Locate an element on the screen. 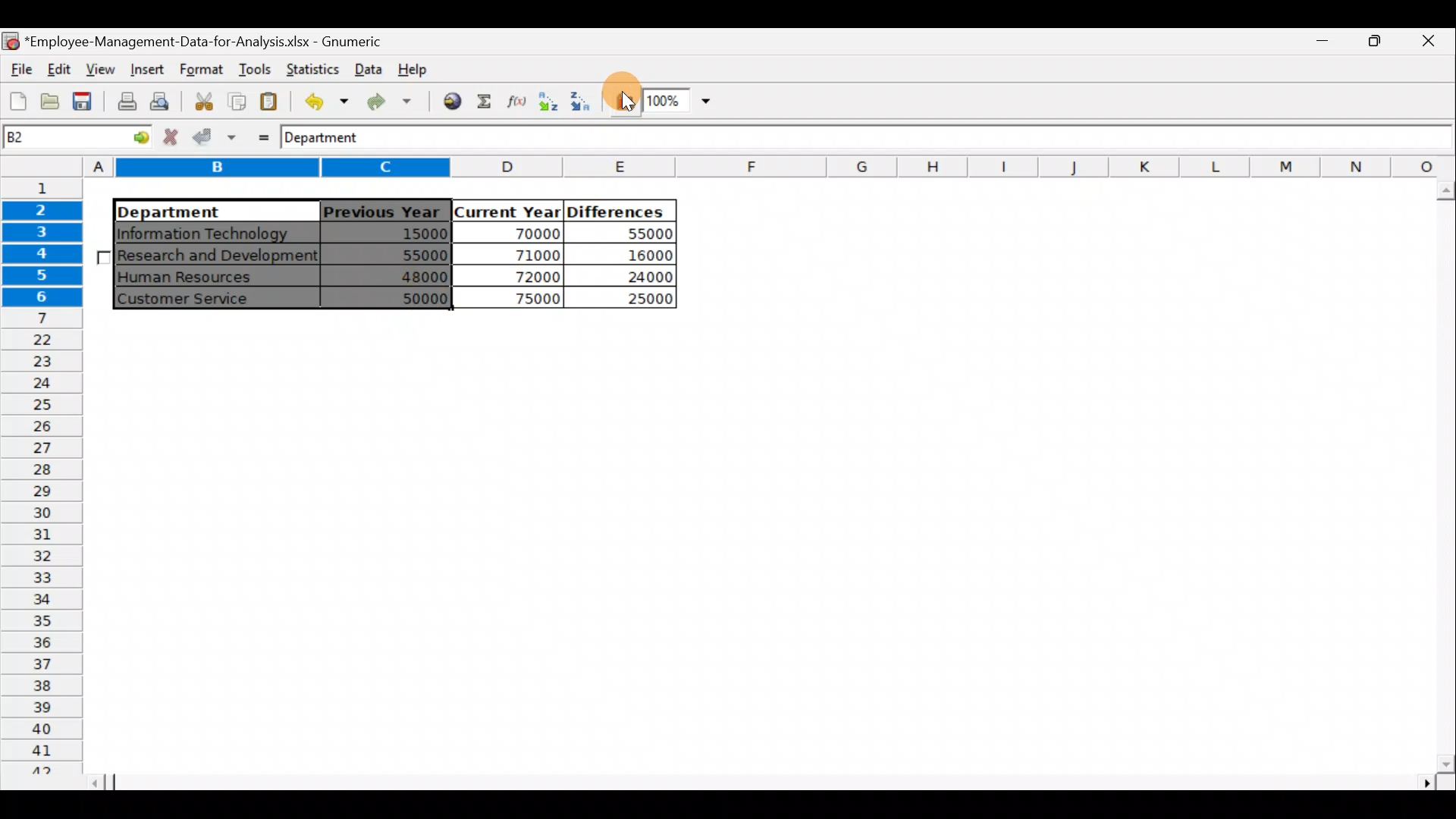 The image size is (1456, 819). Research and Development is located at coordinates (218, 257).